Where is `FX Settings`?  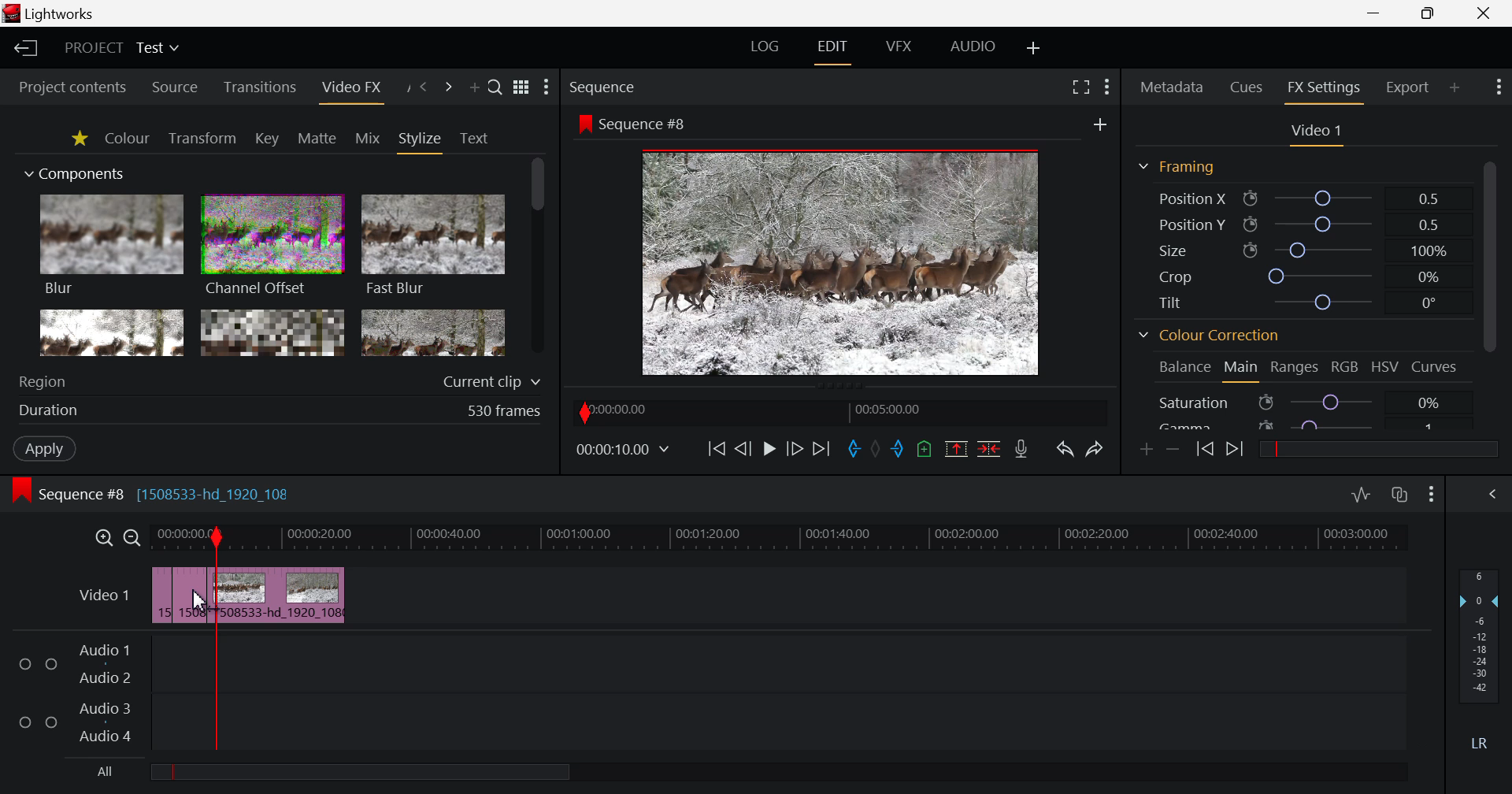 FX Settings is located at coordinates (1323, 90).